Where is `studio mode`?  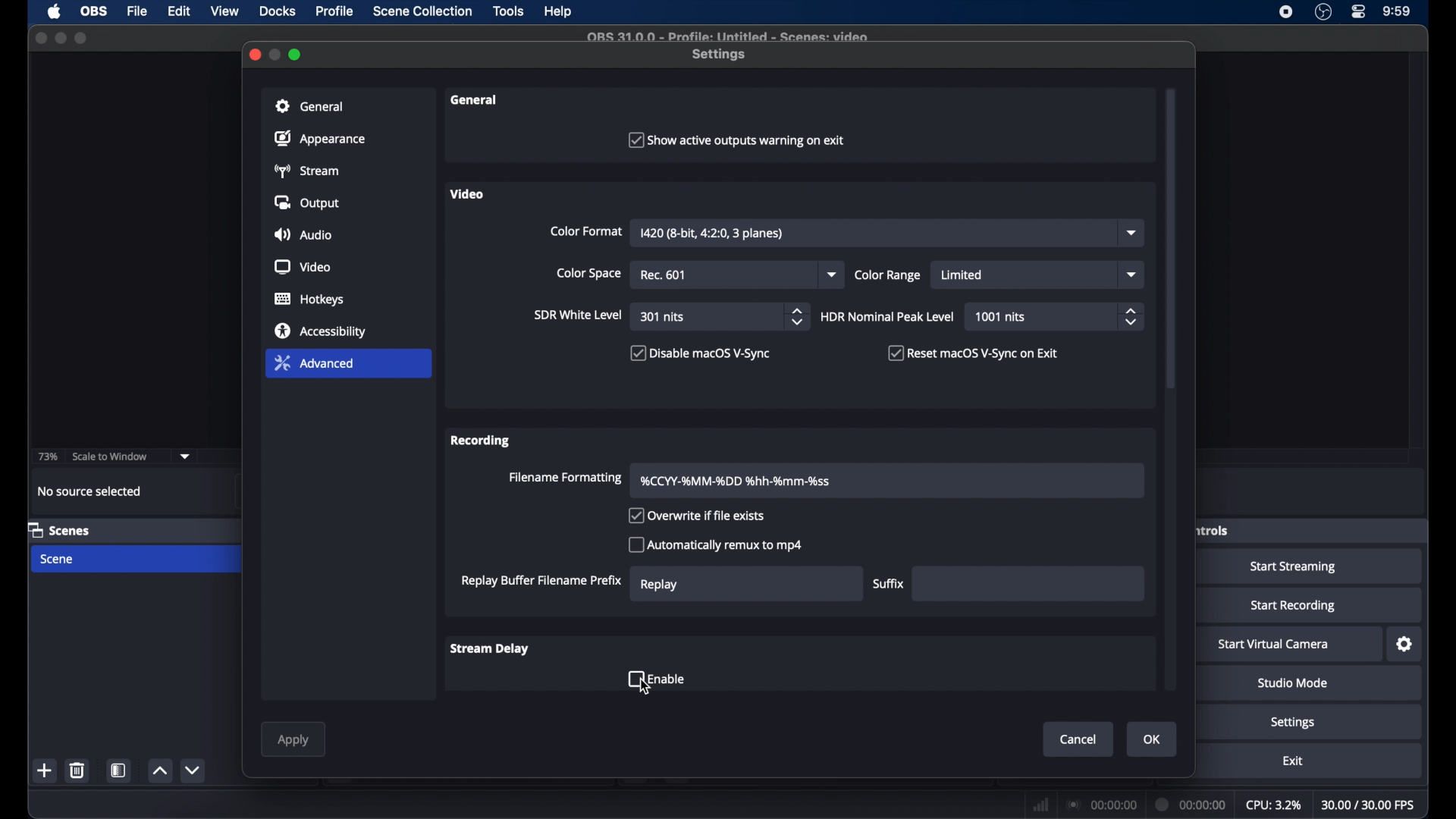 studio mode is located at coordinates (1292, 683).